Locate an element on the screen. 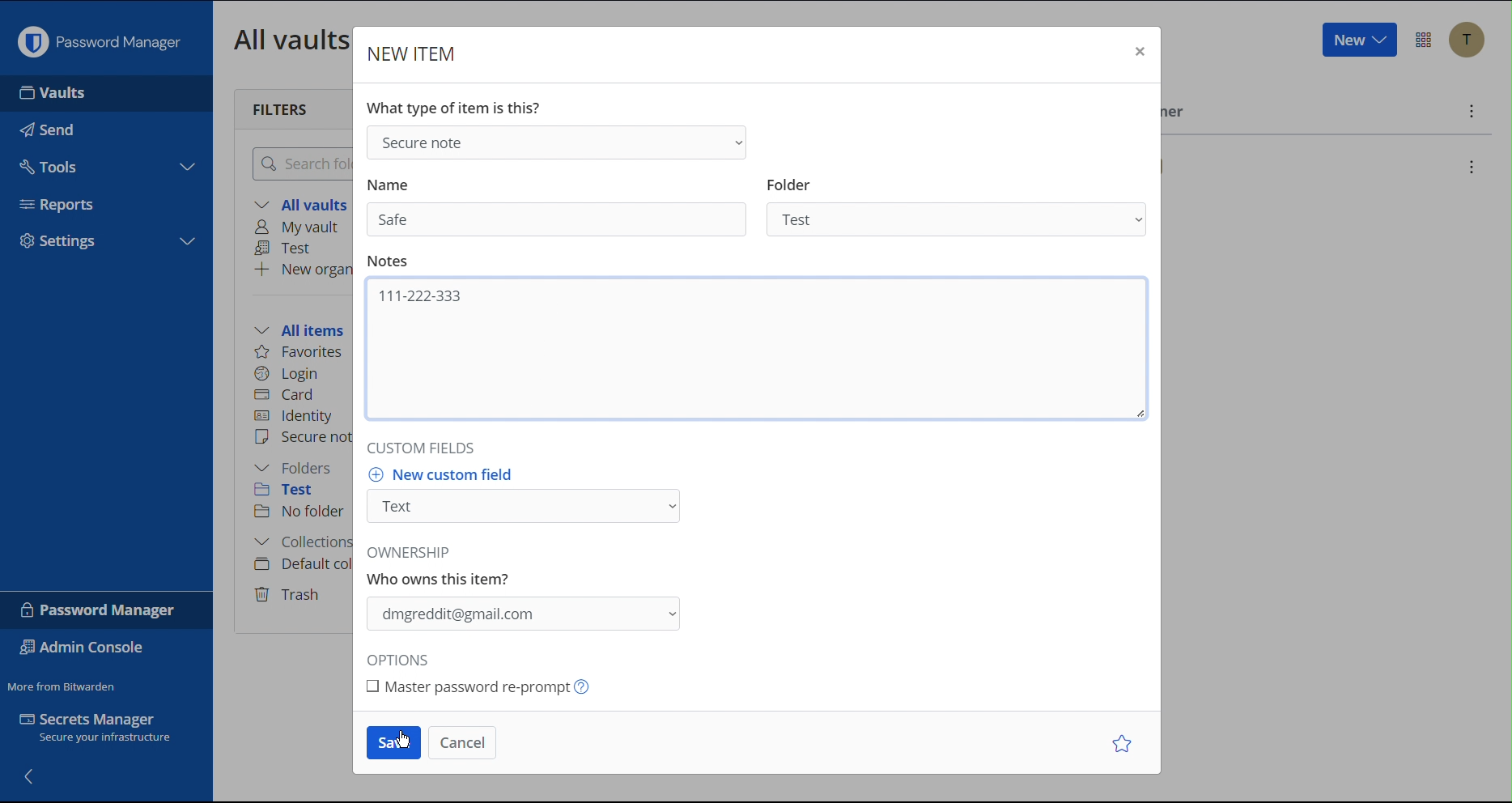  Test is located at coordinates (295, 492).